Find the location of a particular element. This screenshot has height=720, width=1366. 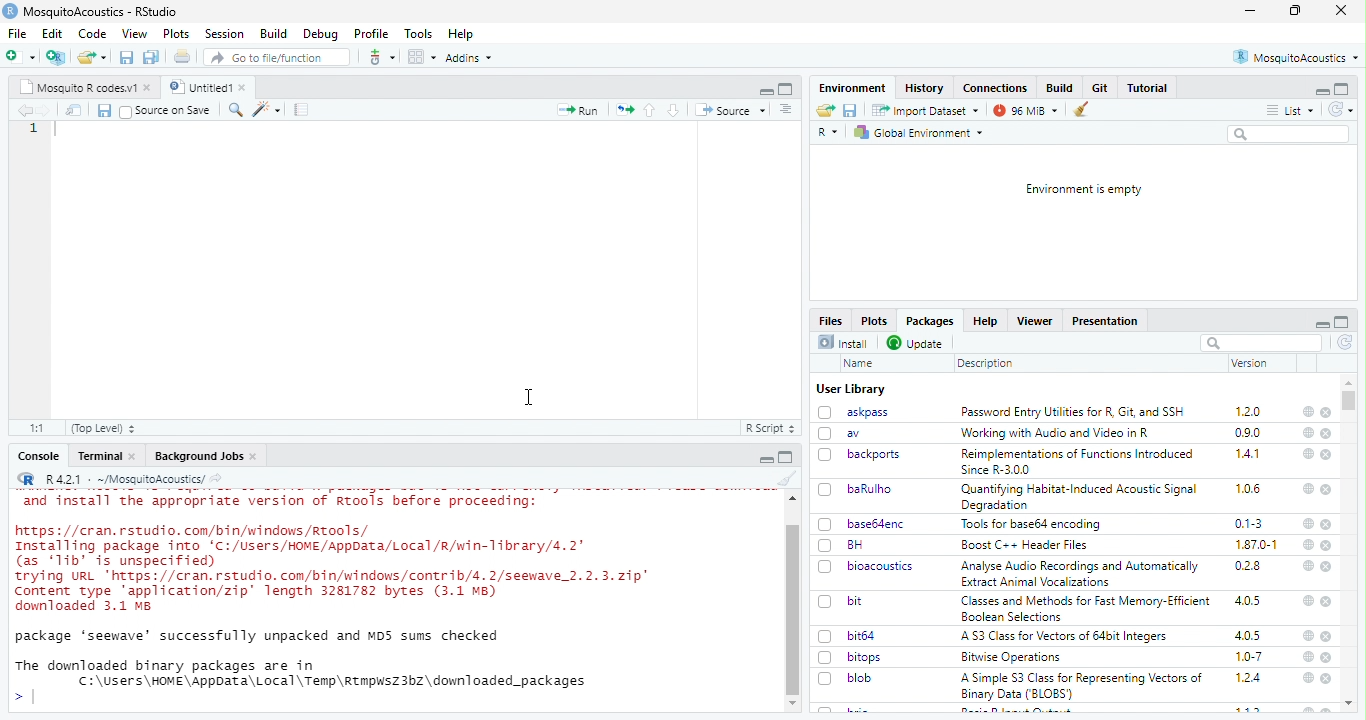

web is located at coordinates (1309, 636).